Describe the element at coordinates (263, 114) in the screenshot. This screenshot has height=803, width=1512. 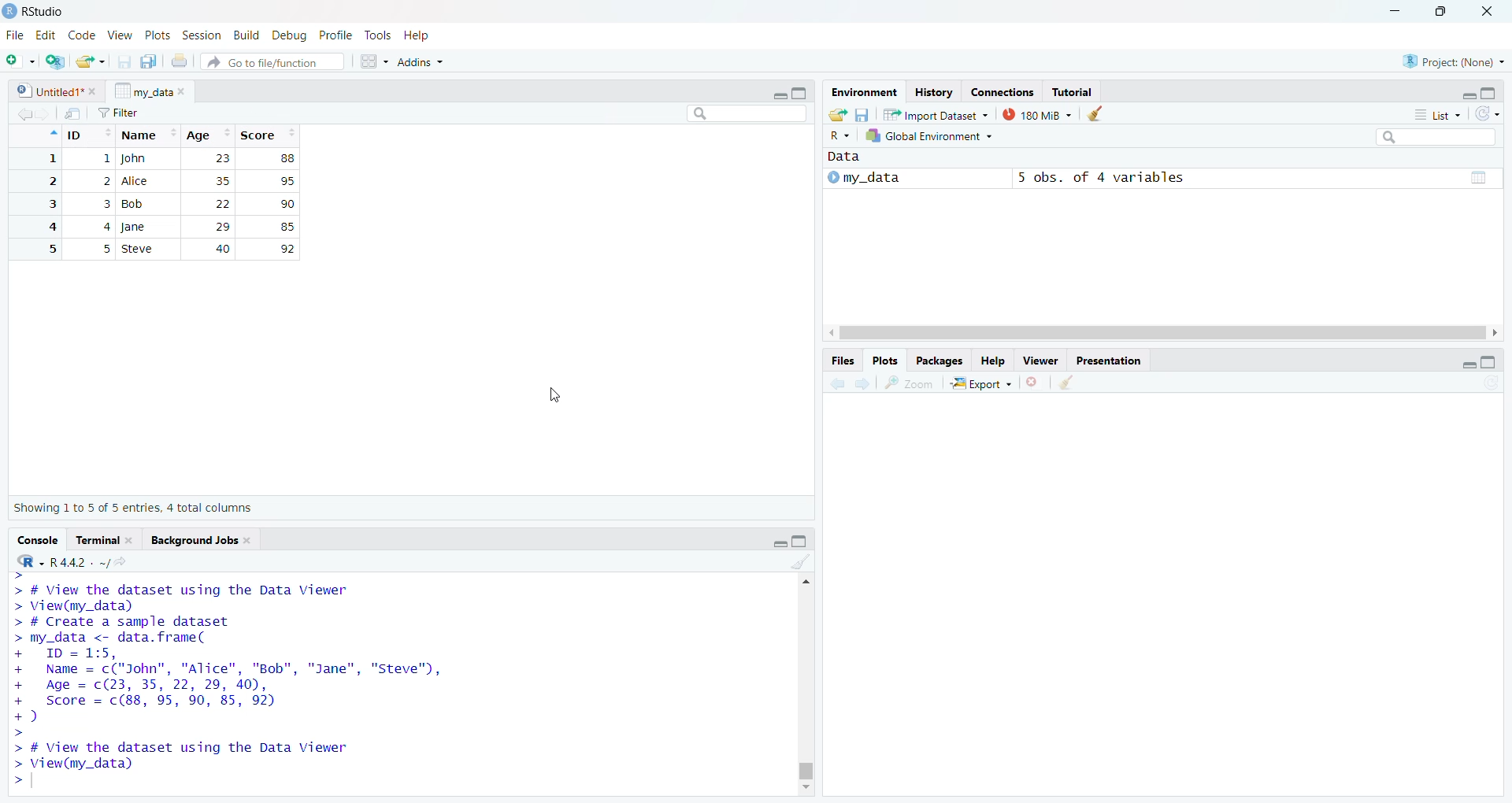
I see `Clear ` at that location.